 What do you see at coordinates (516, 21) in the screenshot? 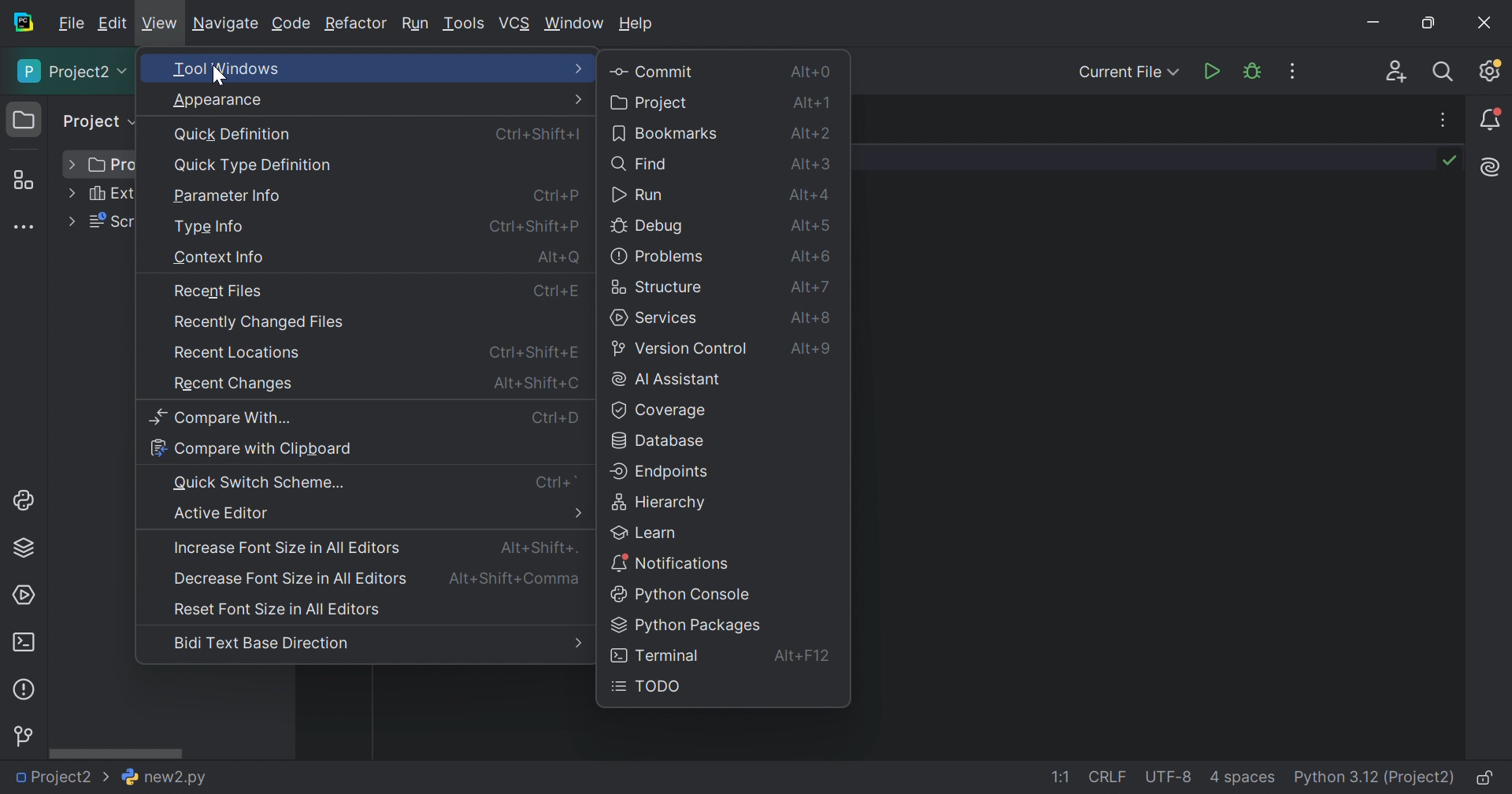
I see `VCS` at bounding box center [516, 21].